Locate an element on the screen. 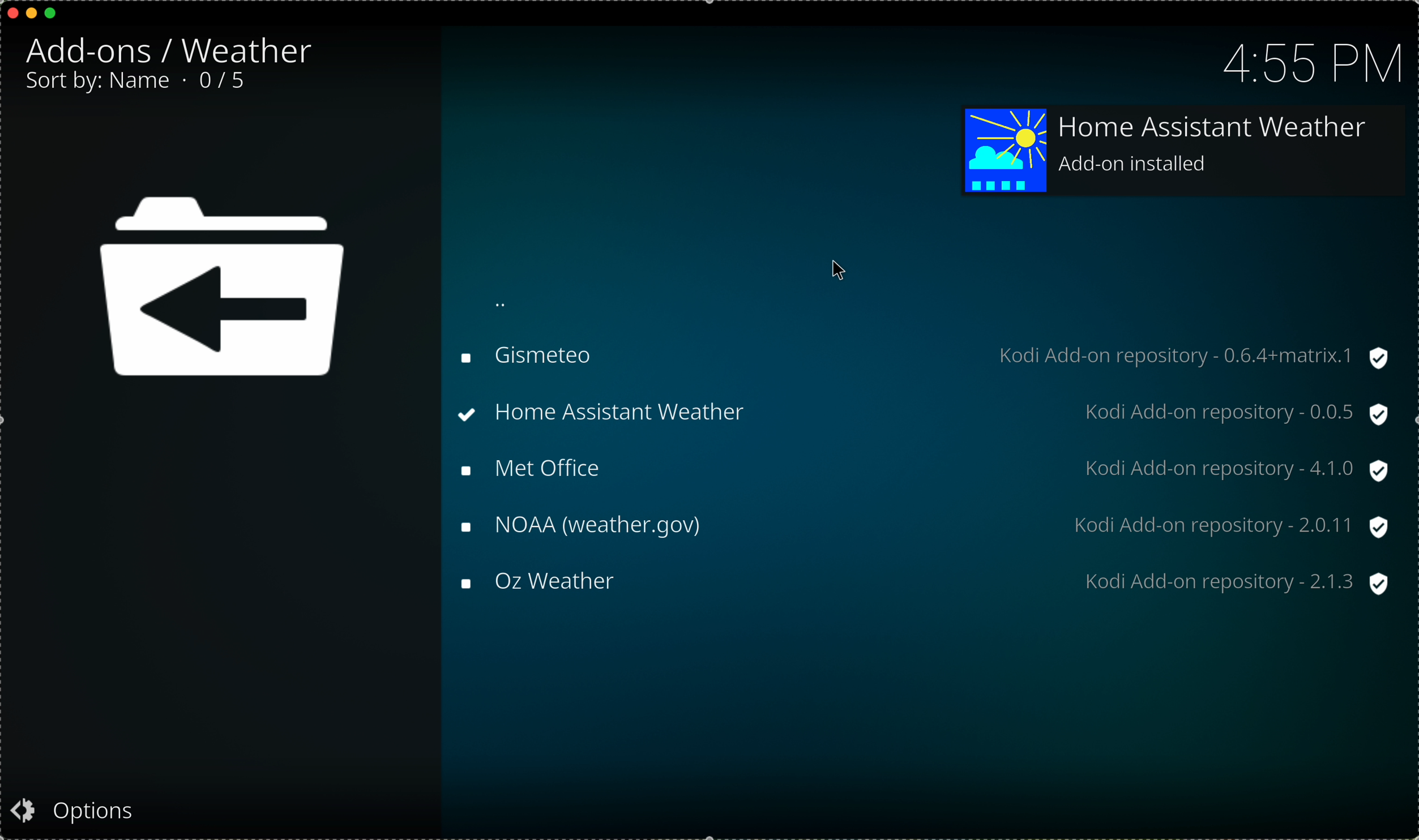  Oz weather is located at coordinates (924, 586).